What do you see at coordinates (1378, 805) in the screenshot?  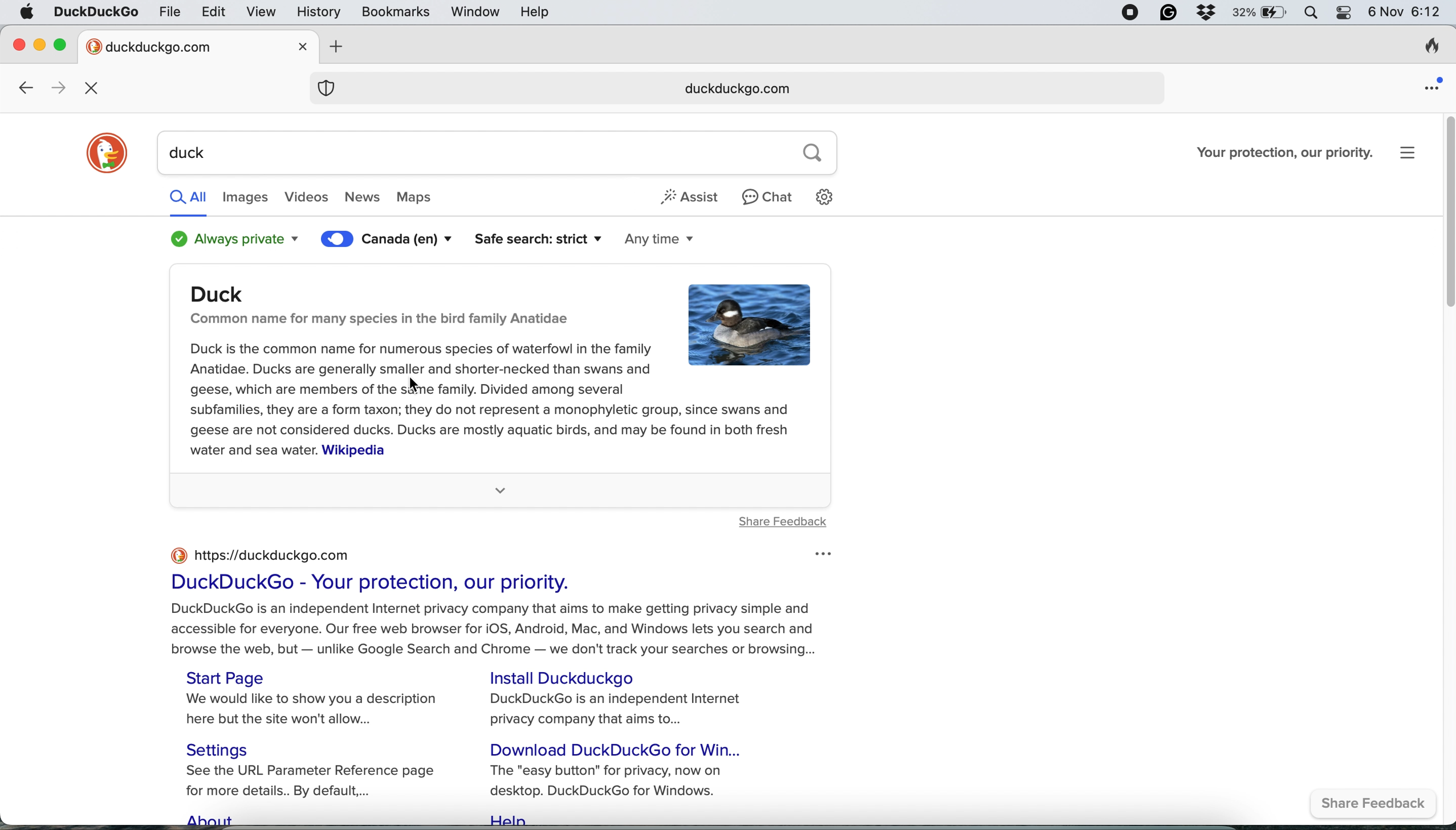 I see `share feedback` at bounding box center [1378, 805].